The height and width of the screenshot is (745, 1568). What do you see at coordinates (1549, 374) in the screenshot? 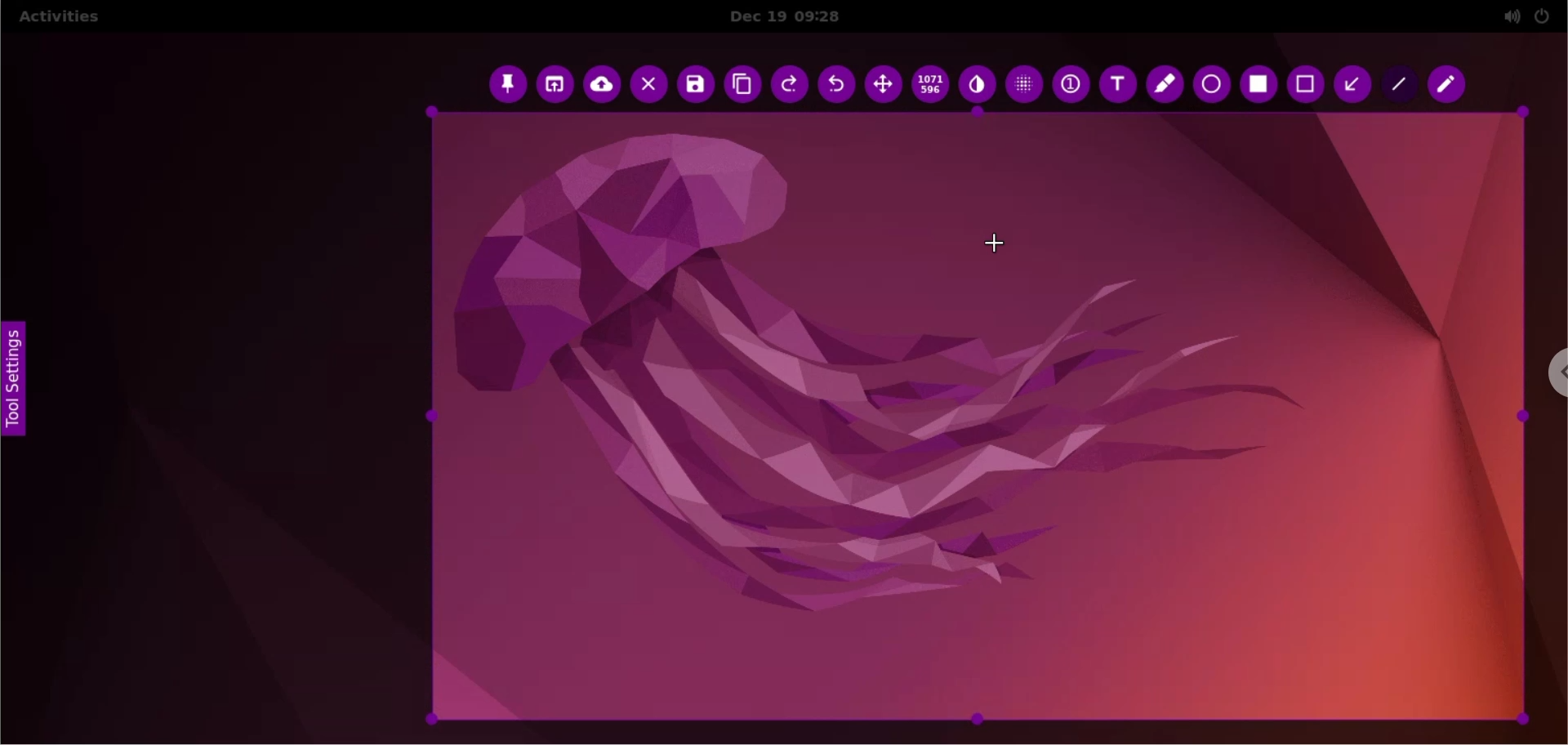
I see `chrome options` at bounding box center [1549, 374].